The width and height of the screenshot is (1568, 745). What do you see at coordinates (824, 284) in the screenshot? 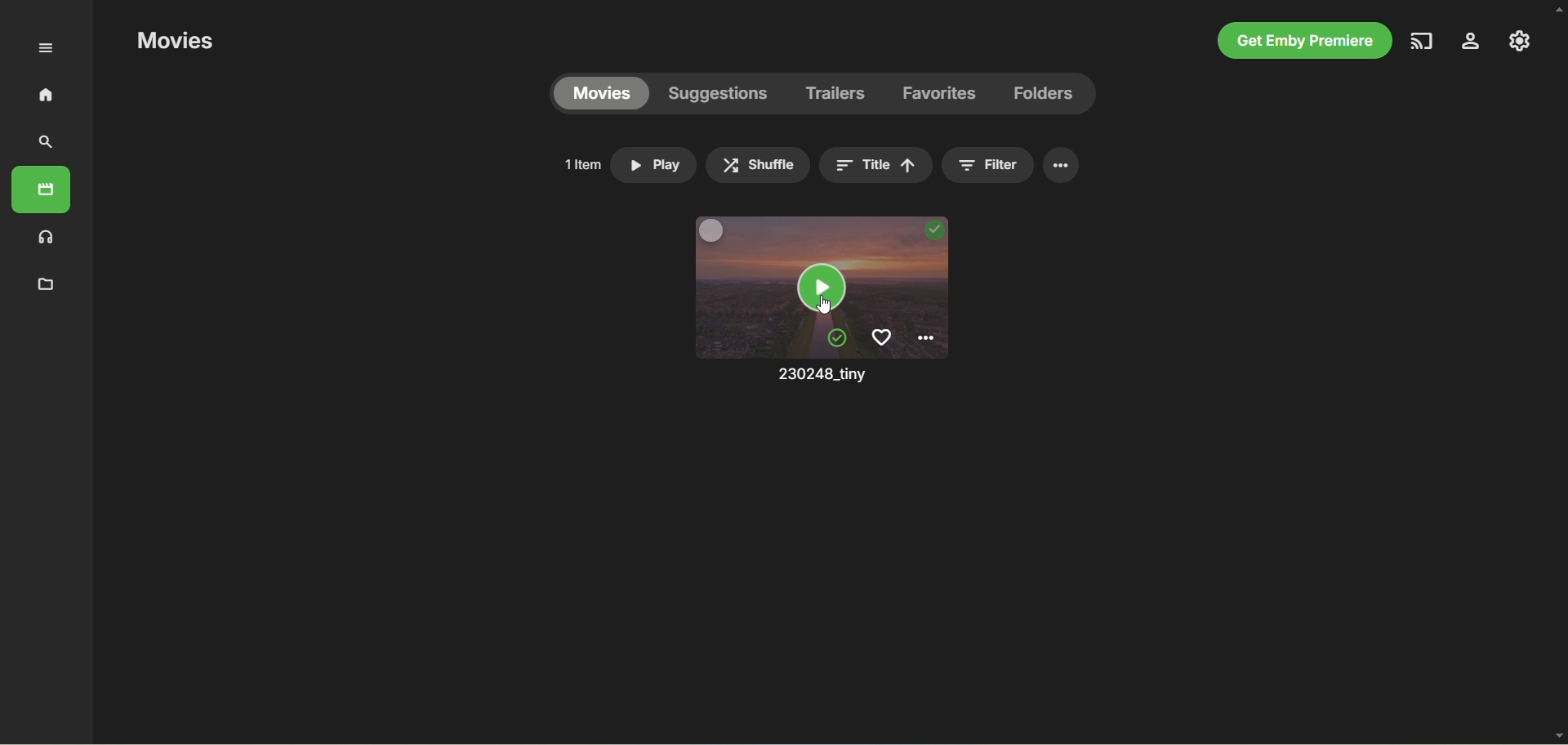
I see `movie` at bounding box center [824, 284].